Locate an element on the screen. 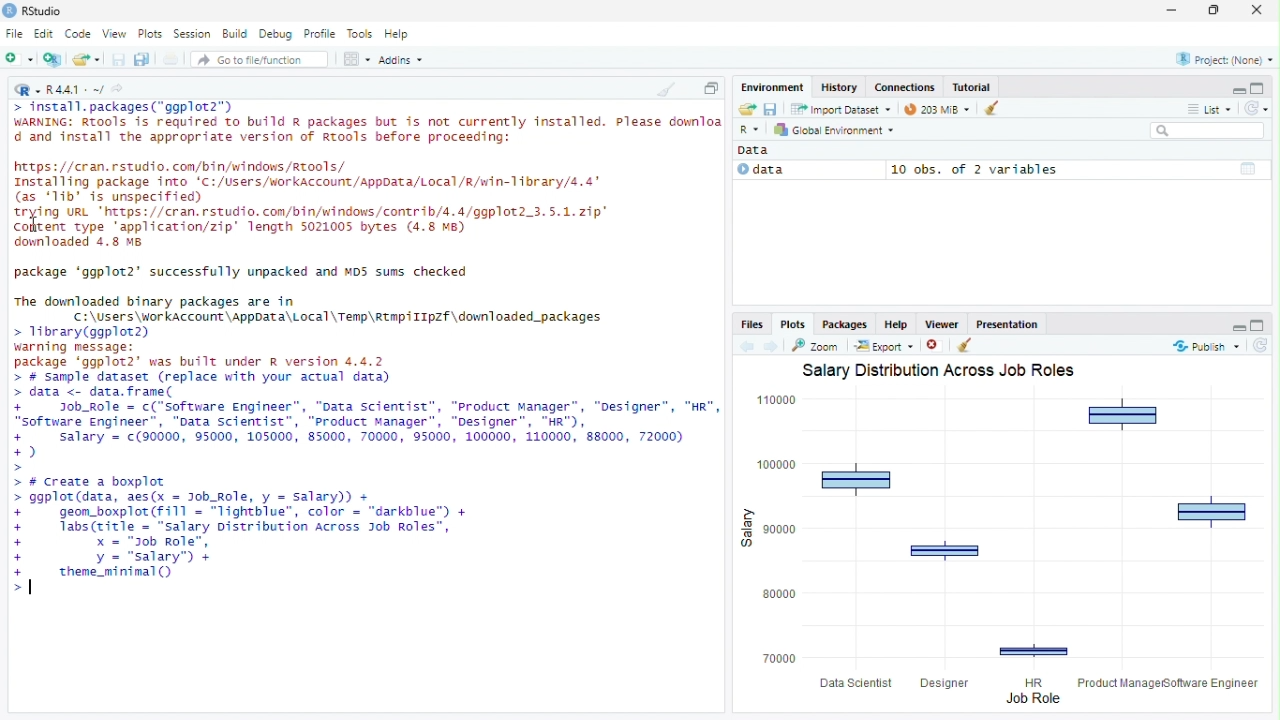  Export as is located at coordinates (884, 346).